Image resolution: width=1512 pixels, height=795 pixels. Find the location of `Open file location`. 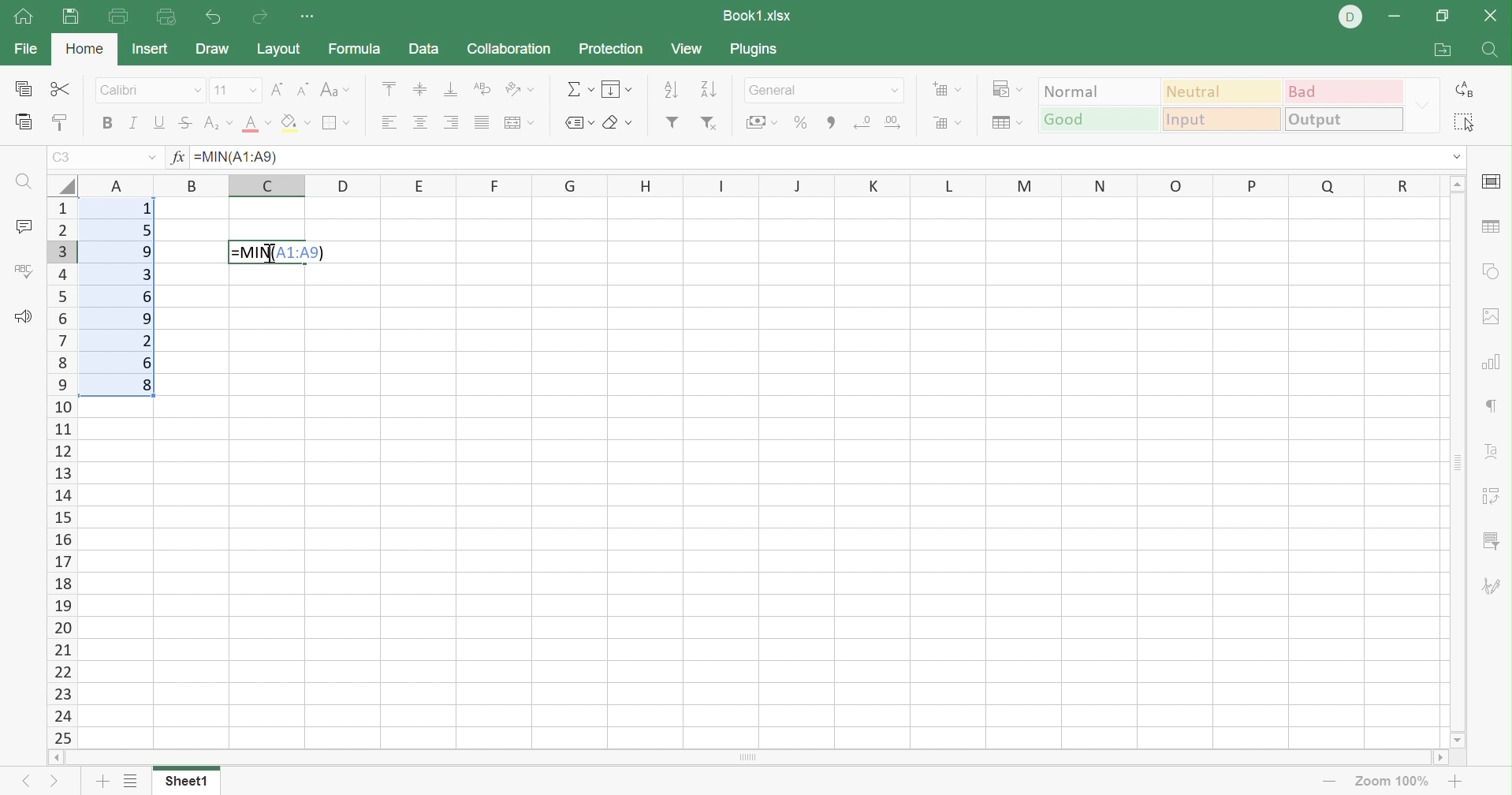

Open file location is located at coordinates (1443, 50).